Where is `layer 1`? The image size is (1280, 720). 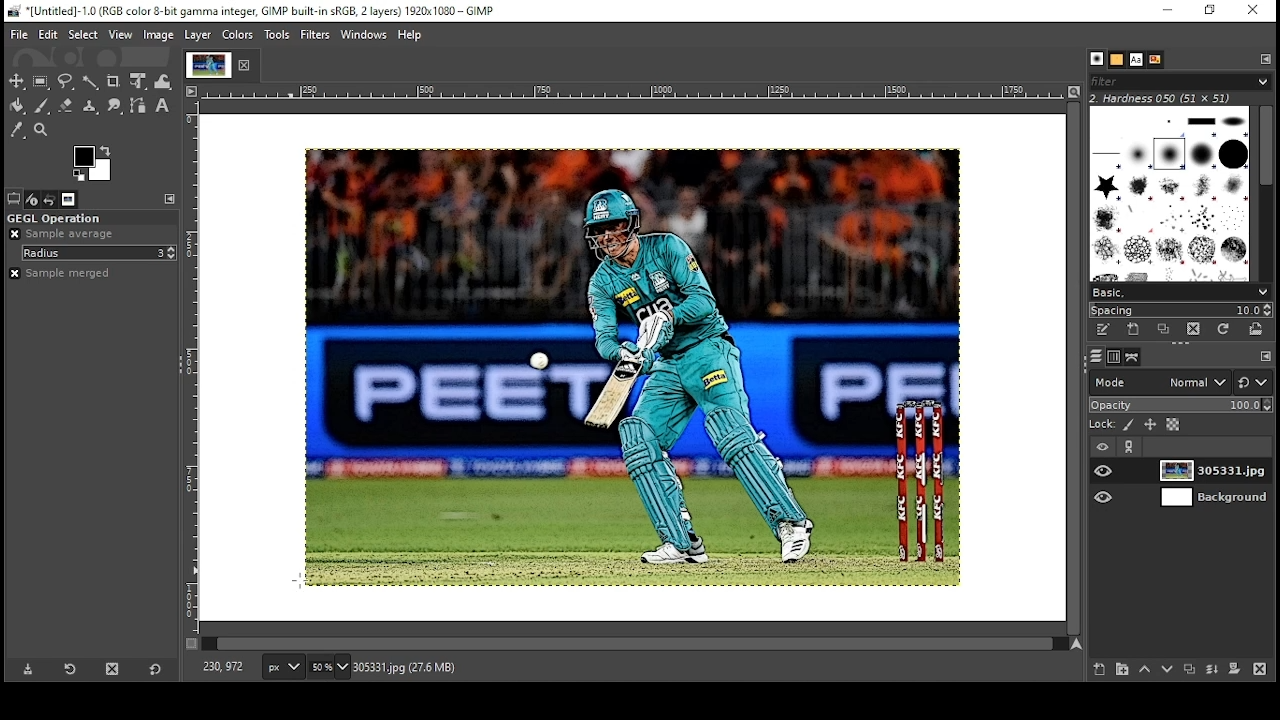 layer 1 is located at coordinates (1217, 473).